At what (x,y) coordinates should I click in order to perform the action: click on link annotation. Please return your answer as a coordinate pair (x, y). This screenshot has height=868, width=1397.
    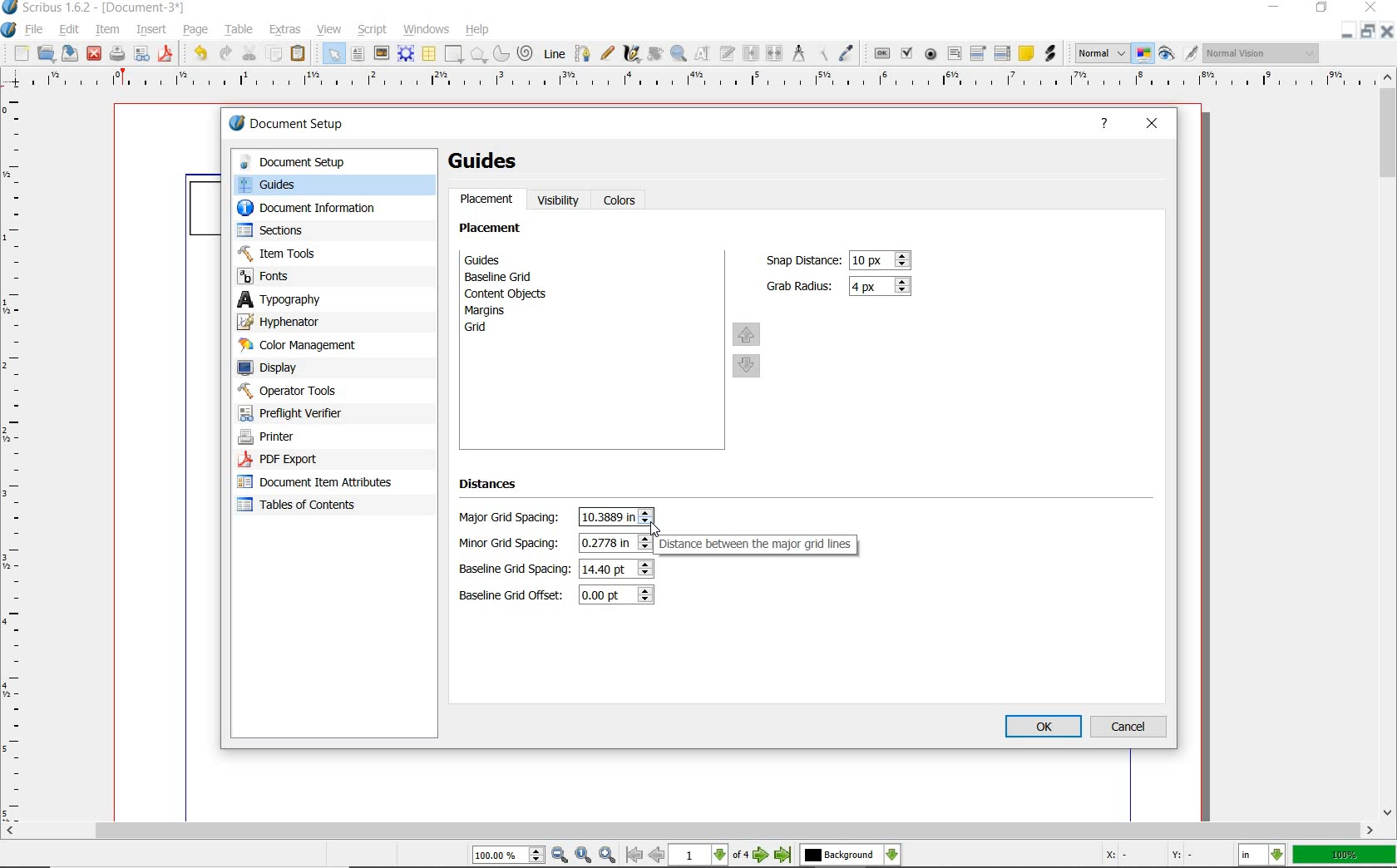
    Looking at the image, I should click on (1053, 55).